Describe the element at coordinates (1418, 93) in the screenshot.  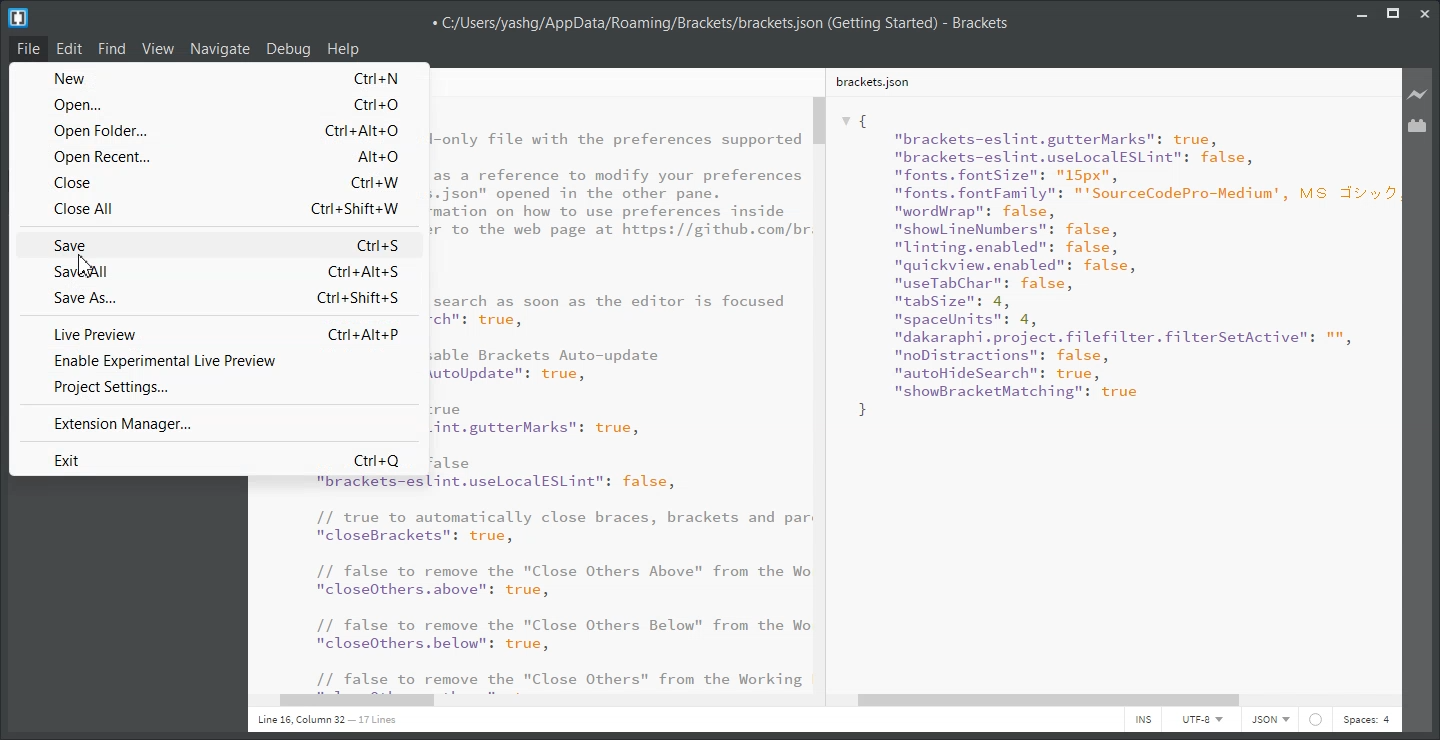
I see `Live Preview` at that location.